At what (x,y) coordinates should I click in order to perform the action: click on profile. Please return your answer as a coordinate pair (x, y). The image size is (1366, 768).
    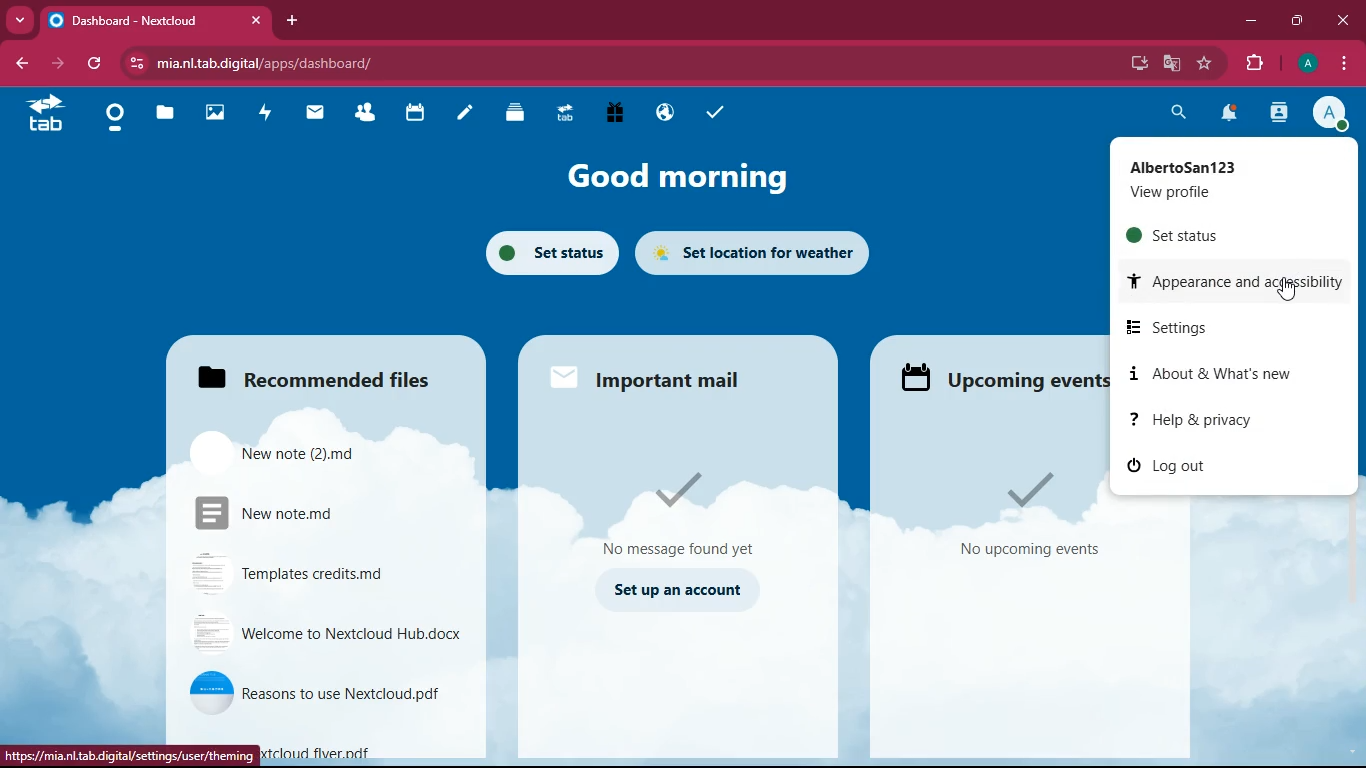
    Looking at the image, I should click on (1216, 180).